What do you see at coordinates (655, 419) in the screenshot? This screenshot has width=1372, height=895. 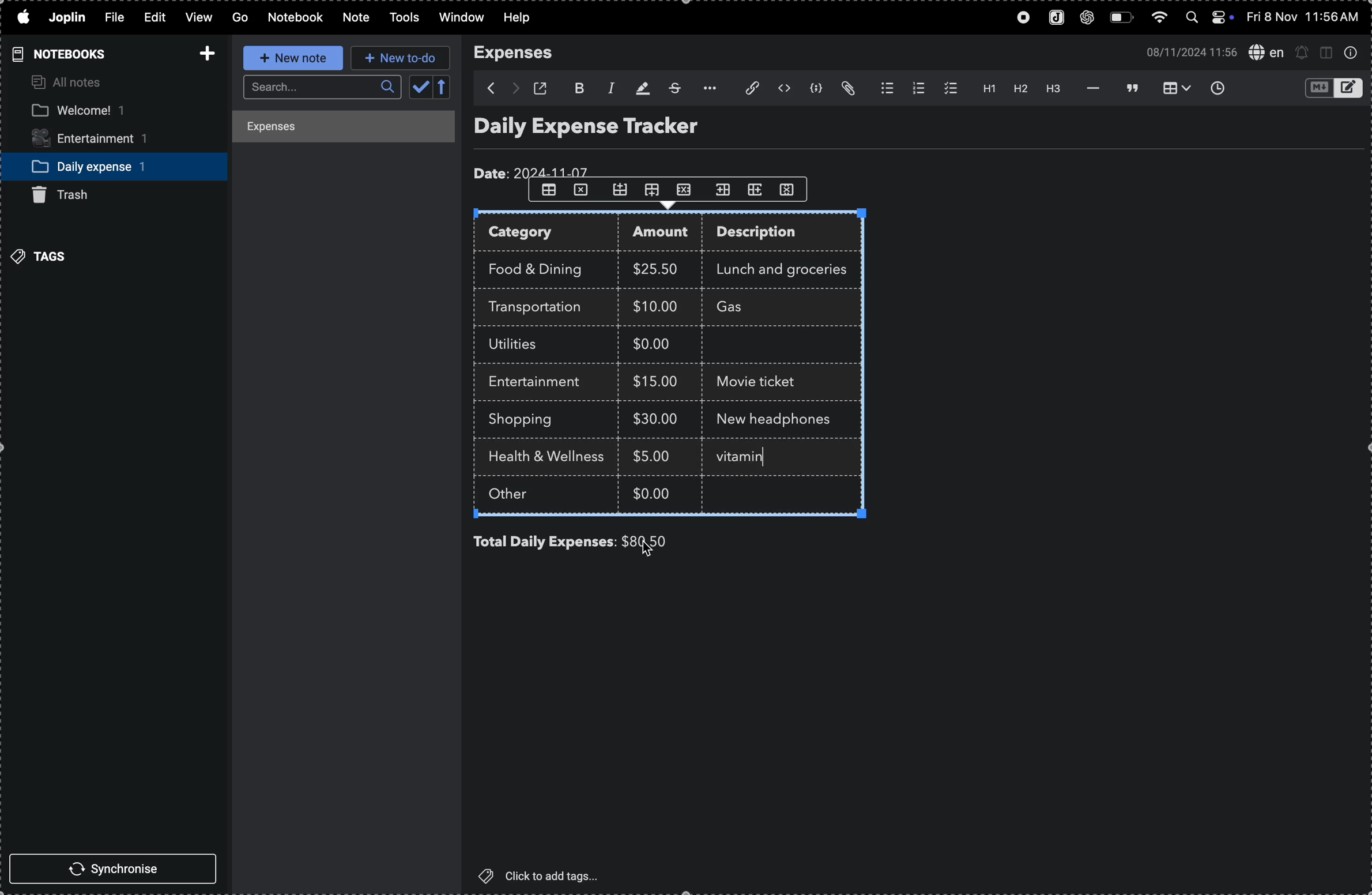 I see `$30.00` at bounding box center [655, 419].